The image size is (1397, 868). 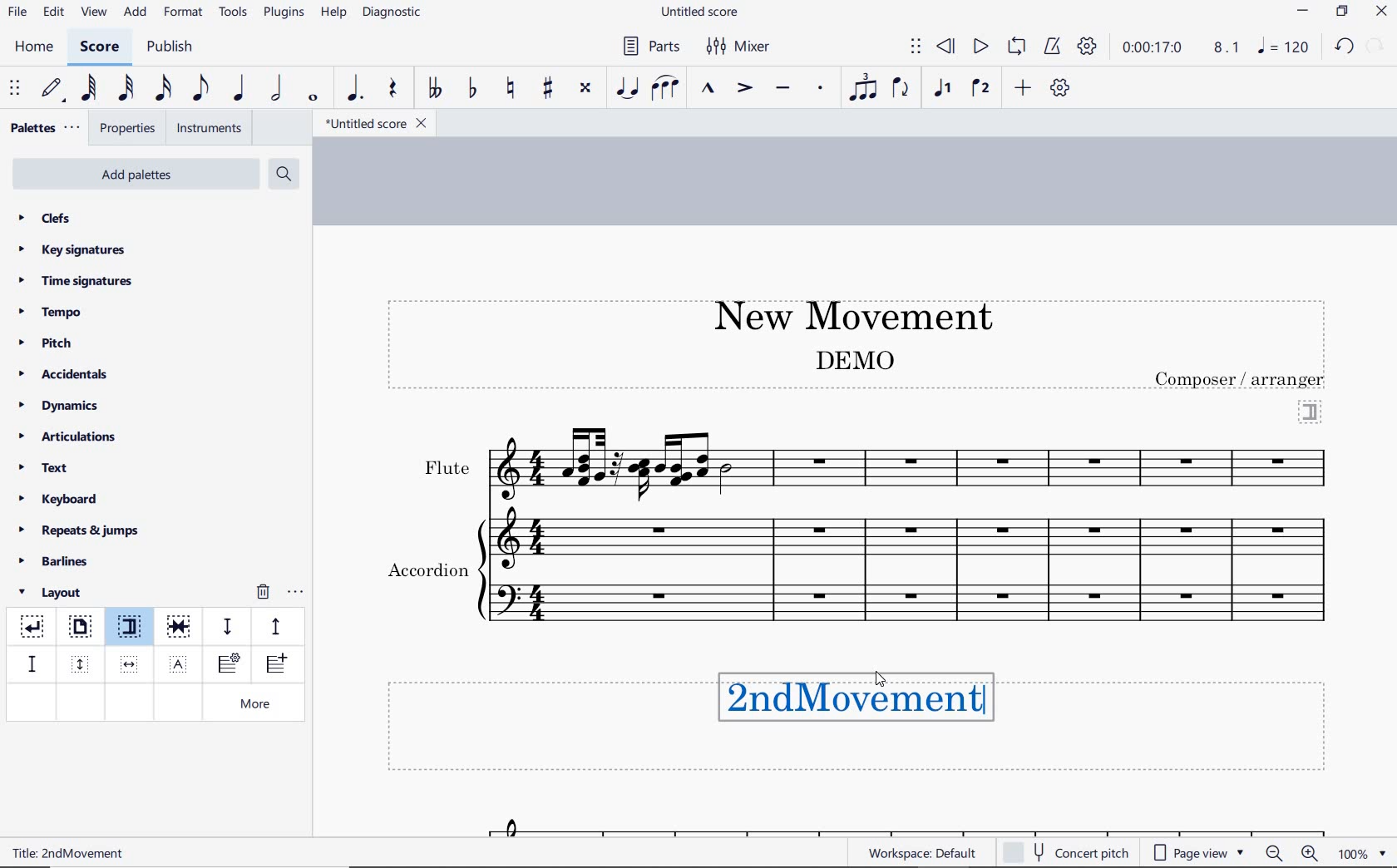 I want to click on page view, so click(x=1199, y=853).